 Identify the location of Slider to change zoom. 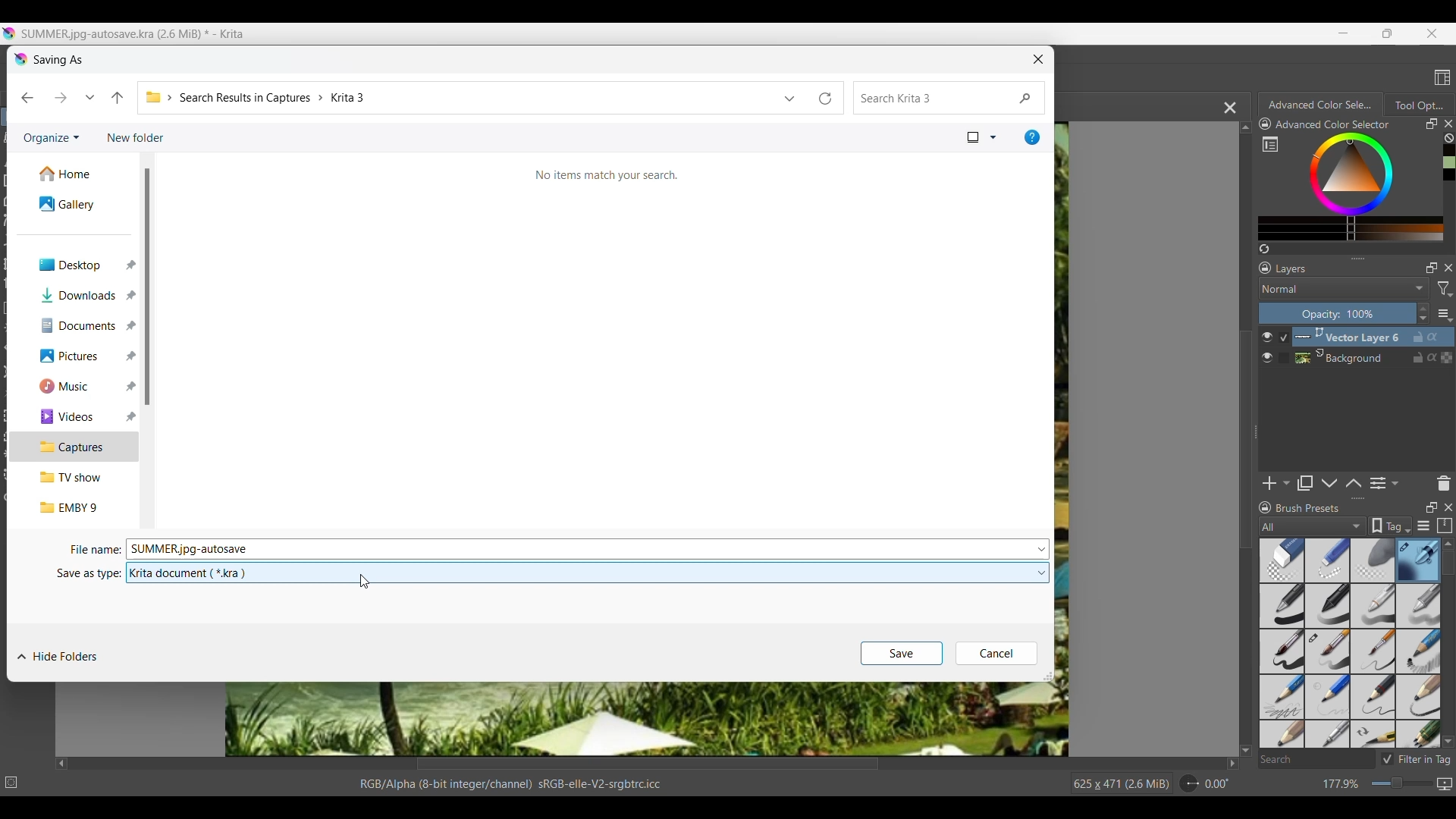
(1401, 783).